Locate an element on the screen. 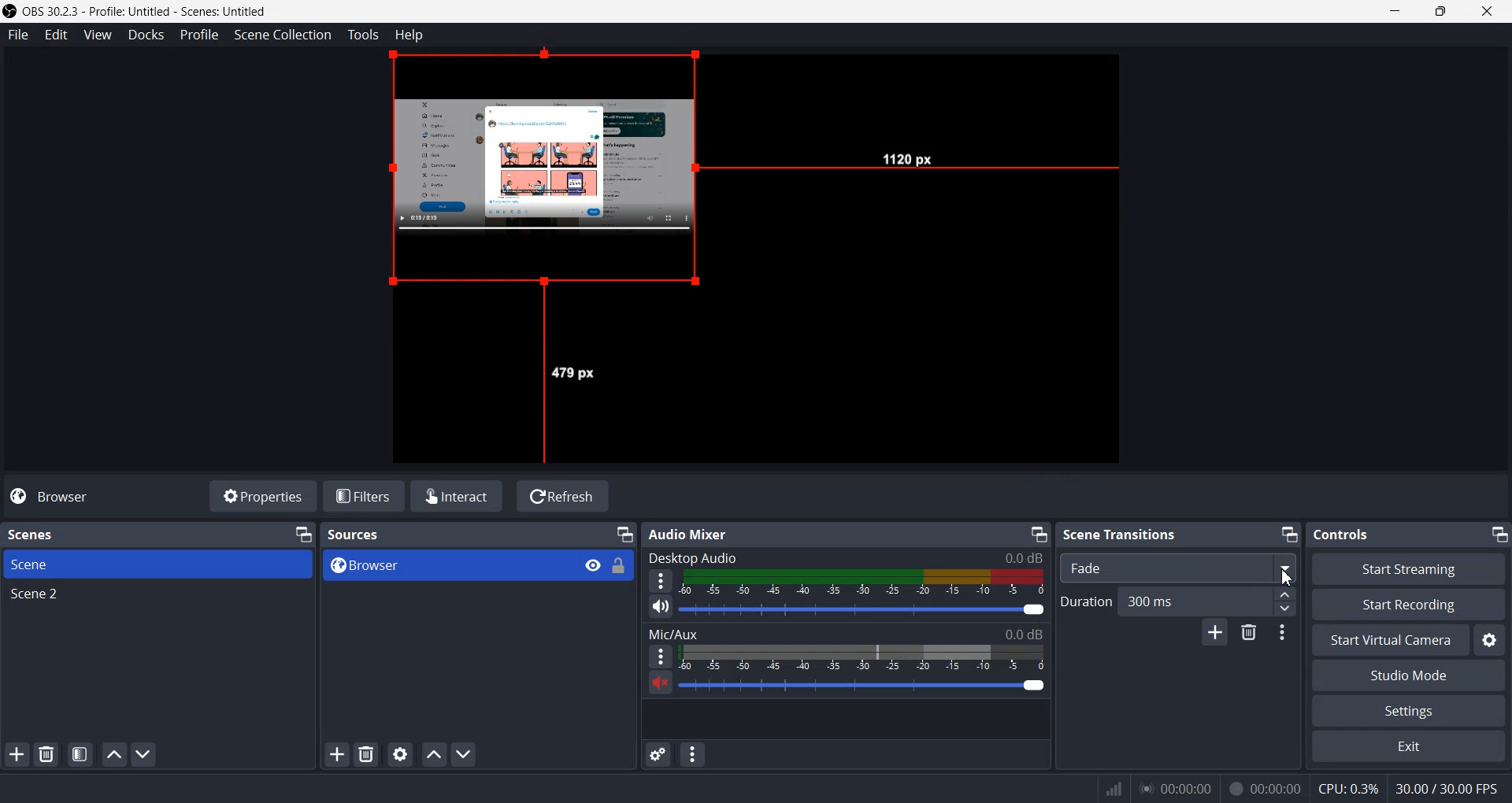 The image size is (1512, 803). Open scene filters is located at coordinates (80, 753).